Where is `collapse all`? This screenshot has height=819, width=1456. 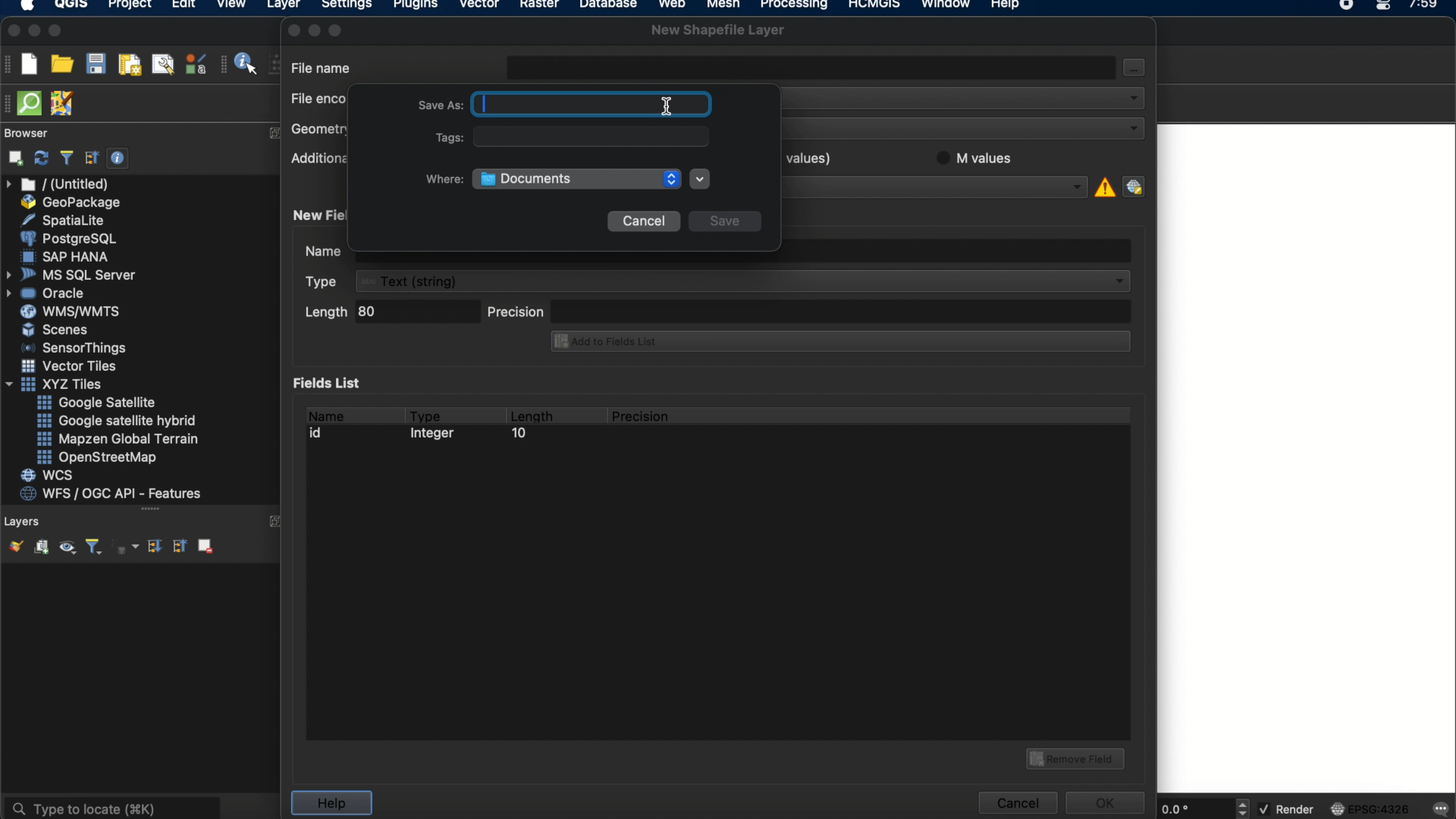
collapse all is located at coordinates (92, 158).